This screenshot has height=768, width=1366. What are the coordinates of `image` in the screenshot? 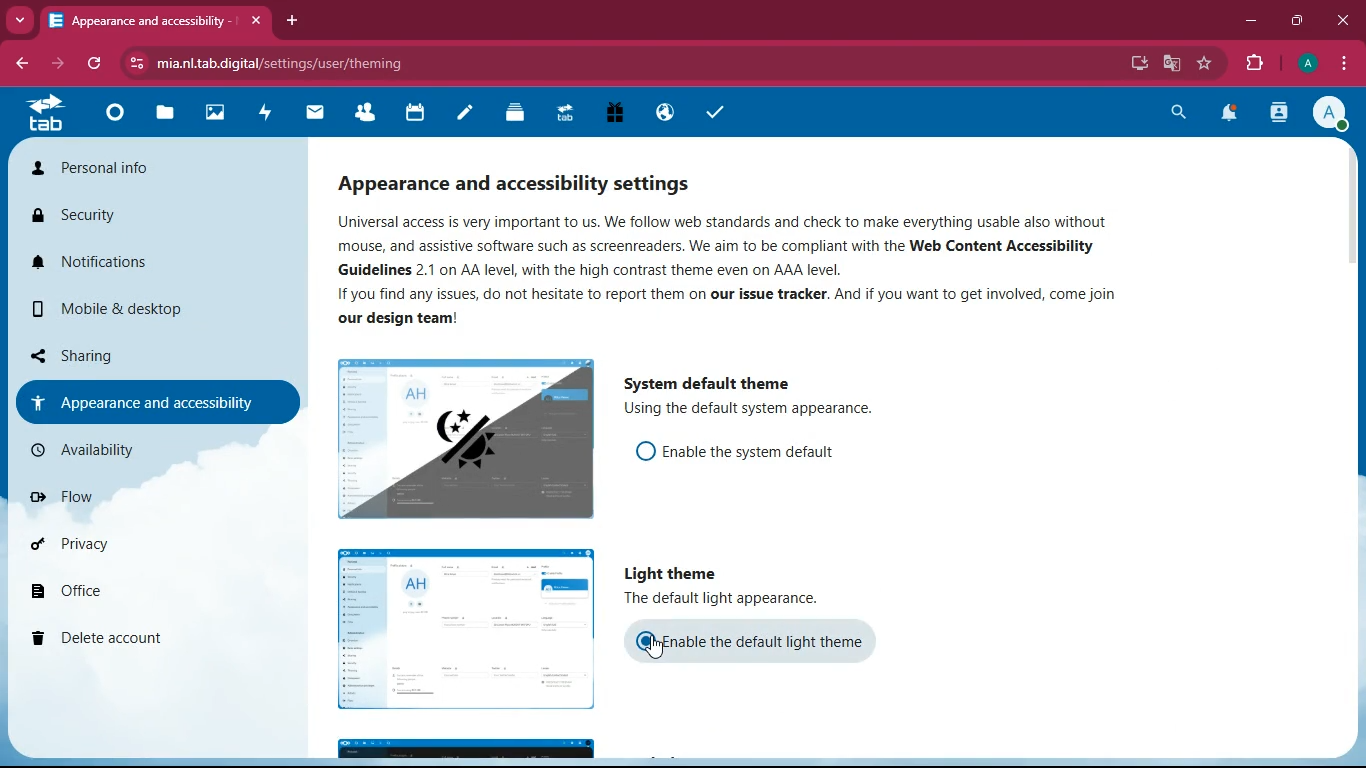 It's located at (469, 441).